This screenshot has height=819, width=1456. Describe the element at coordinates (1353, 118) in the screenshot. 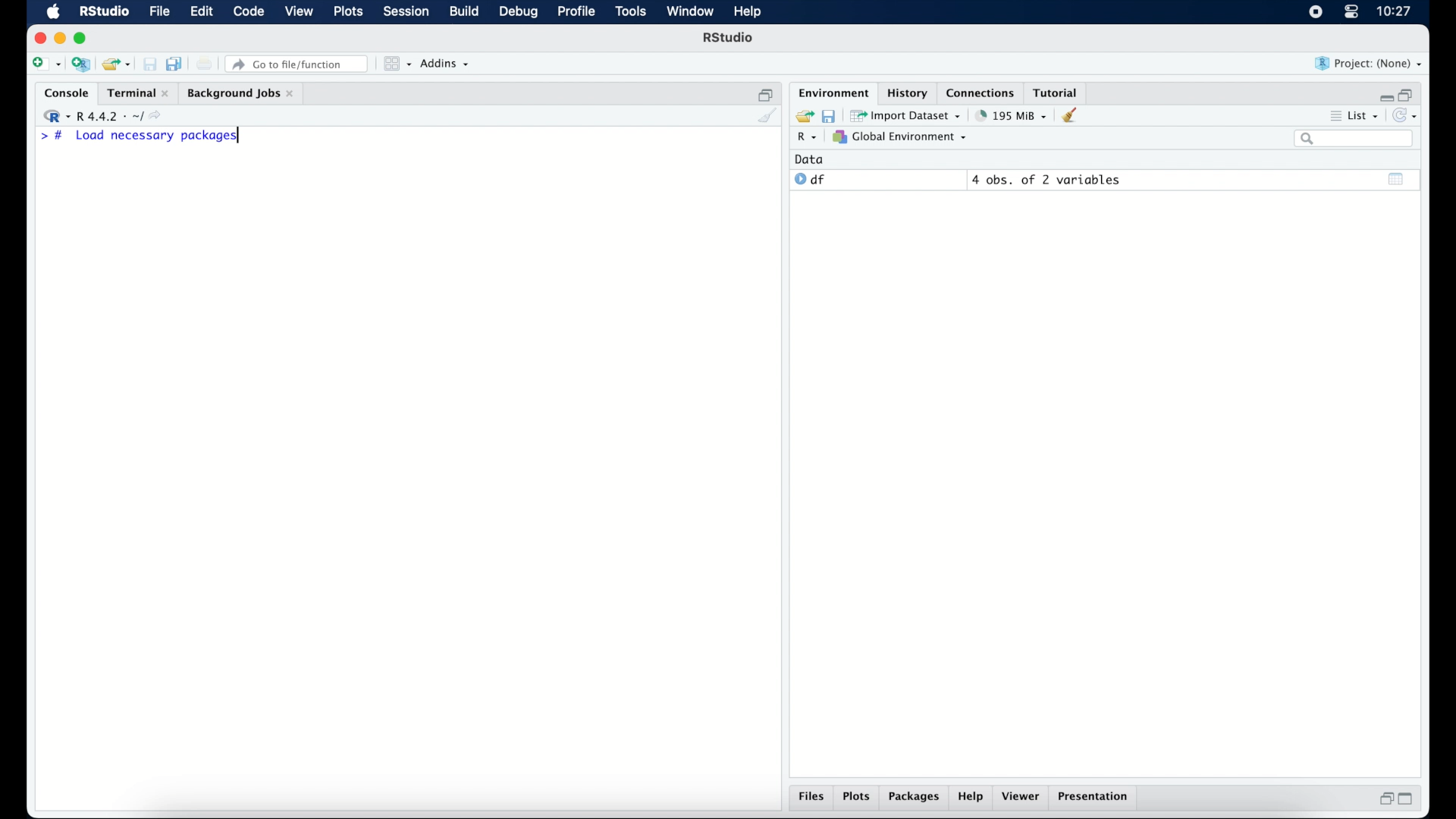

I see `list` at that location.